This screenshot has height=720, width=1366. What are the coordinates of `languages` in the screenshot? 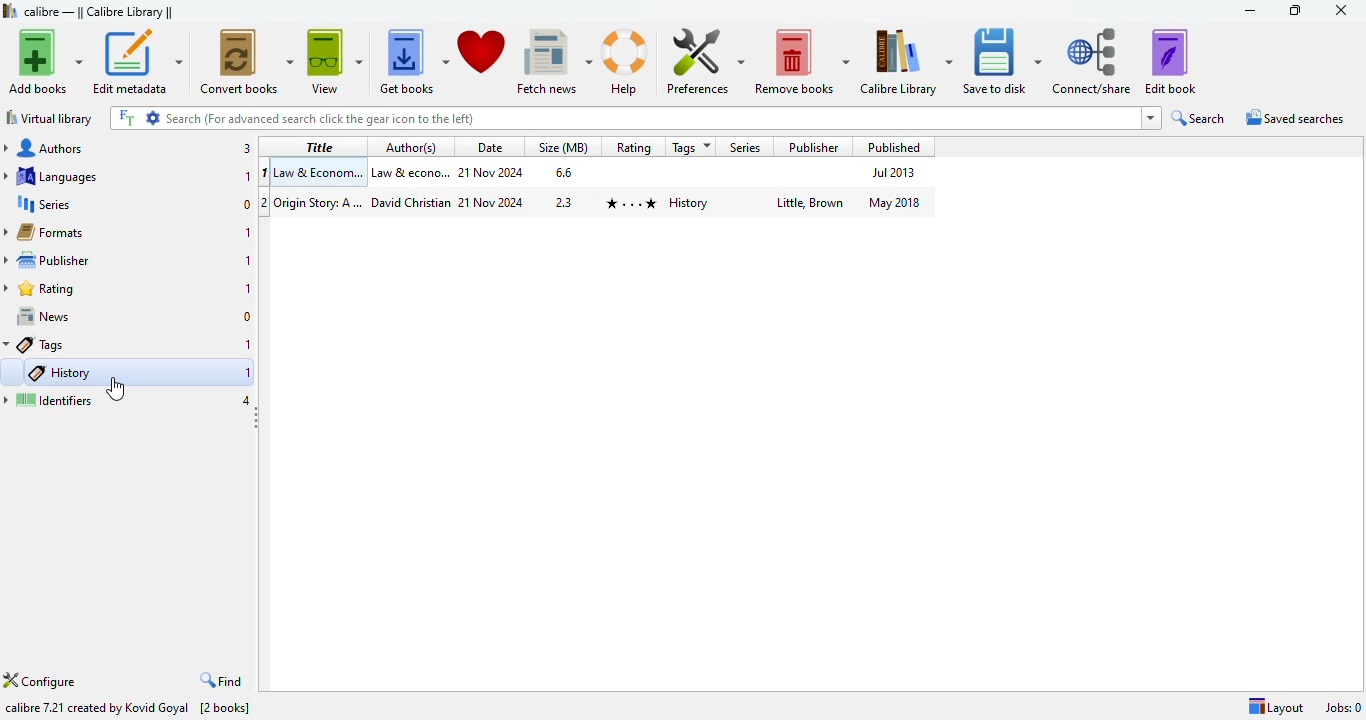 It's located at (50, 176).